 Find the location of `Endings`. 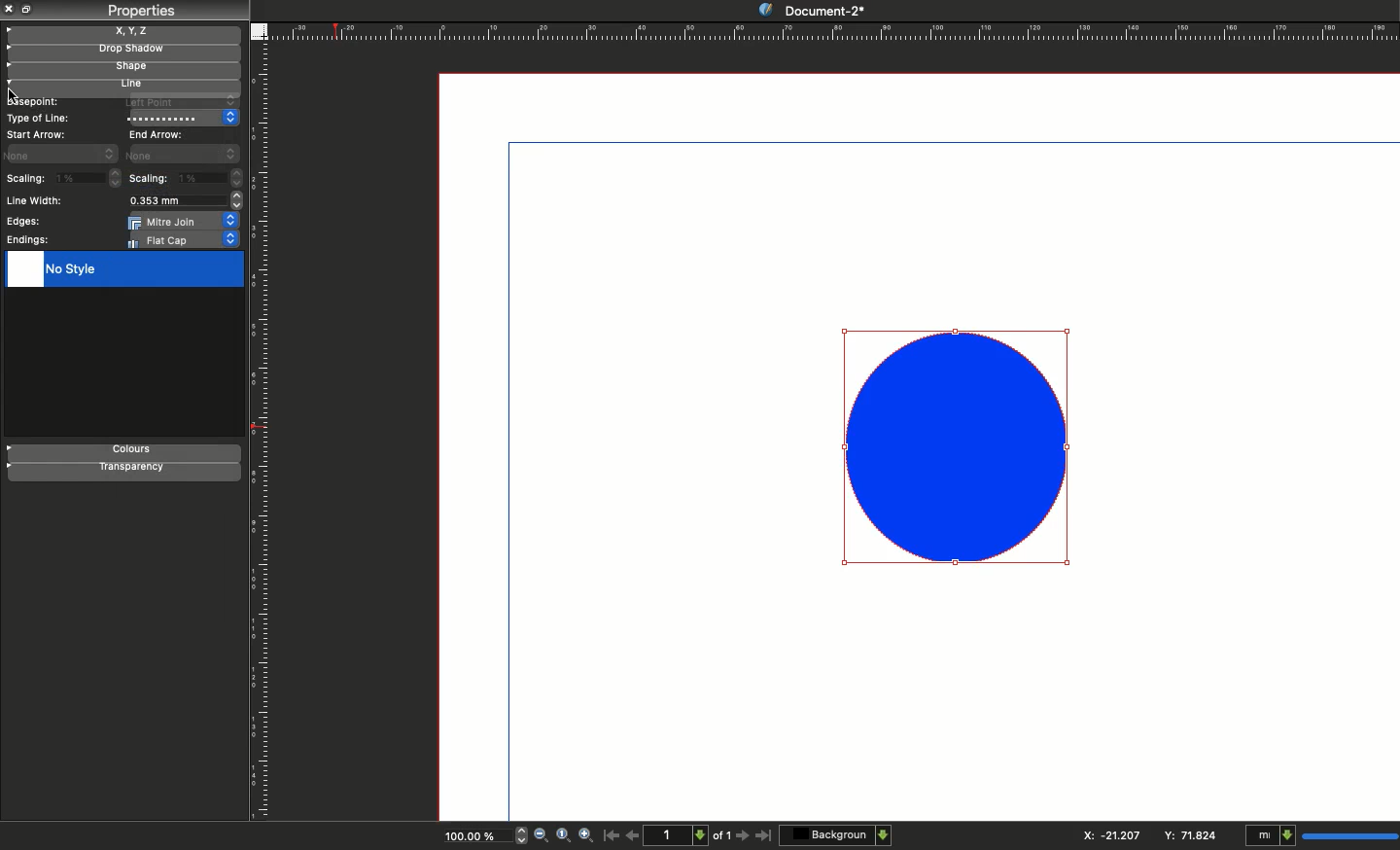

Endings is located at coordinates (29, 240).